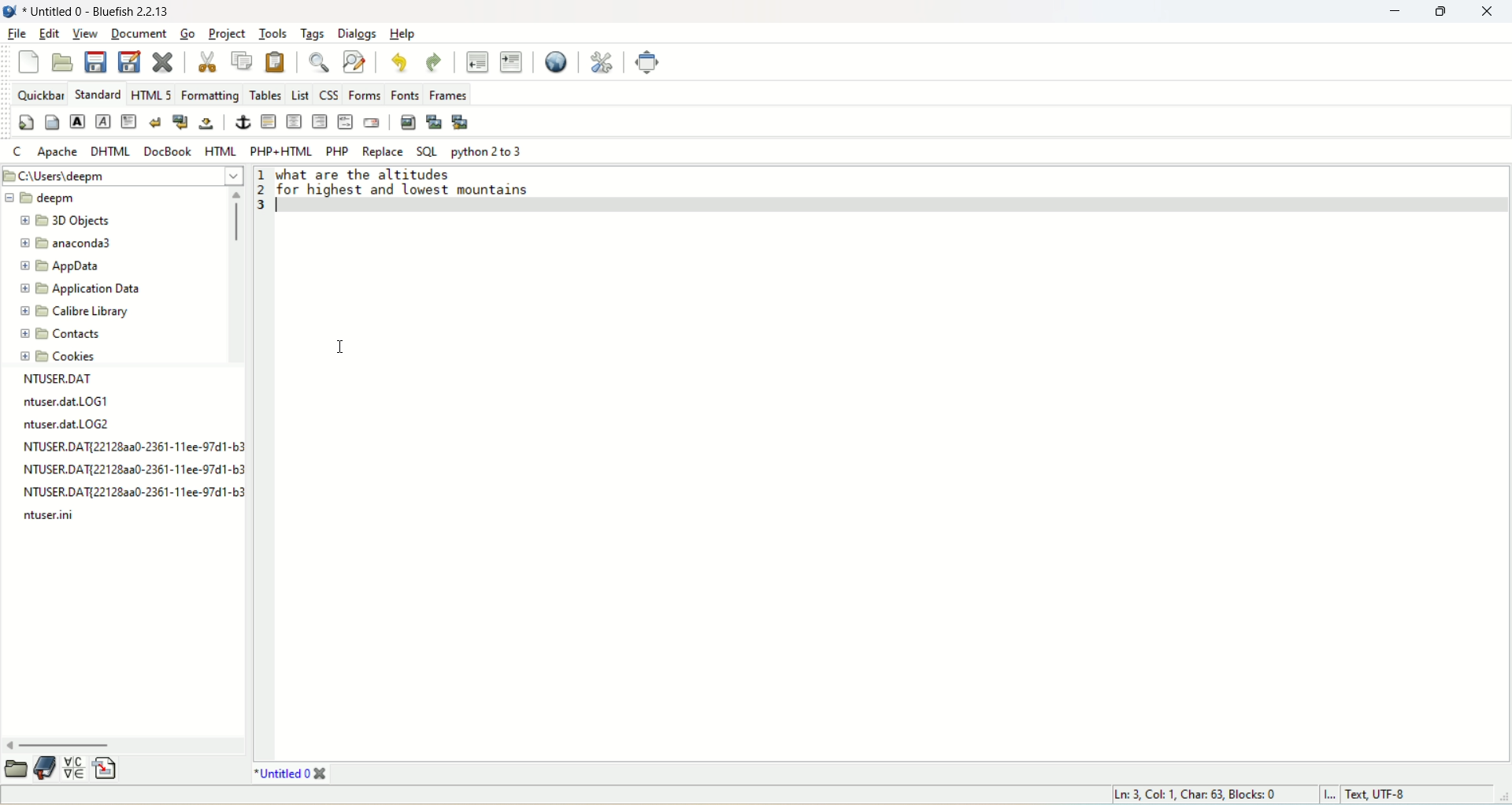  What do you see at coordinates (123, 174) in the screenshot?
I see `location` at bounding box center [123, 174].